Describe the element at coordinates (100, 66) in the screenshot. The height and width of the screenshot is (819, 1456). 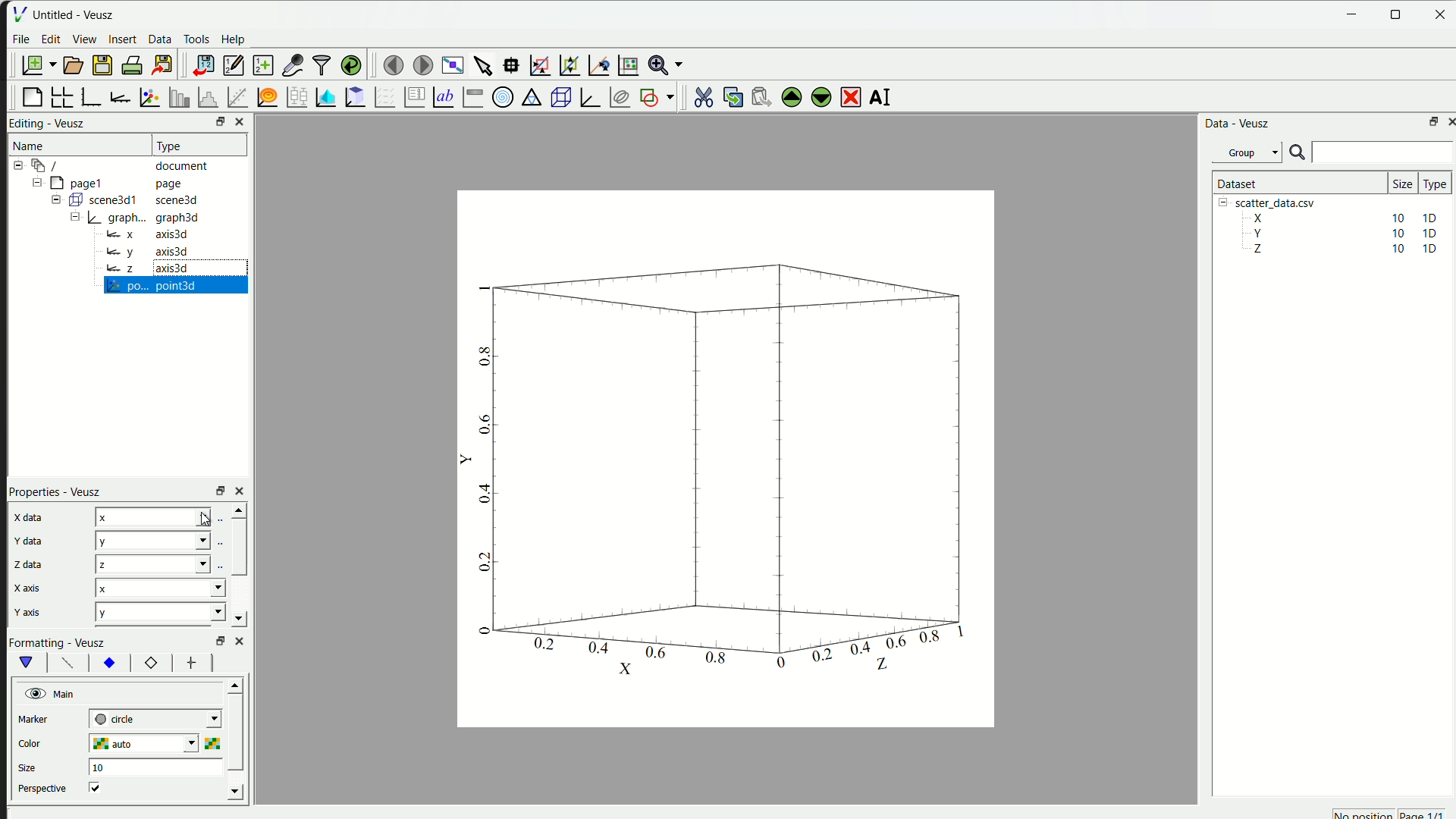
I see `save a document` at that location.